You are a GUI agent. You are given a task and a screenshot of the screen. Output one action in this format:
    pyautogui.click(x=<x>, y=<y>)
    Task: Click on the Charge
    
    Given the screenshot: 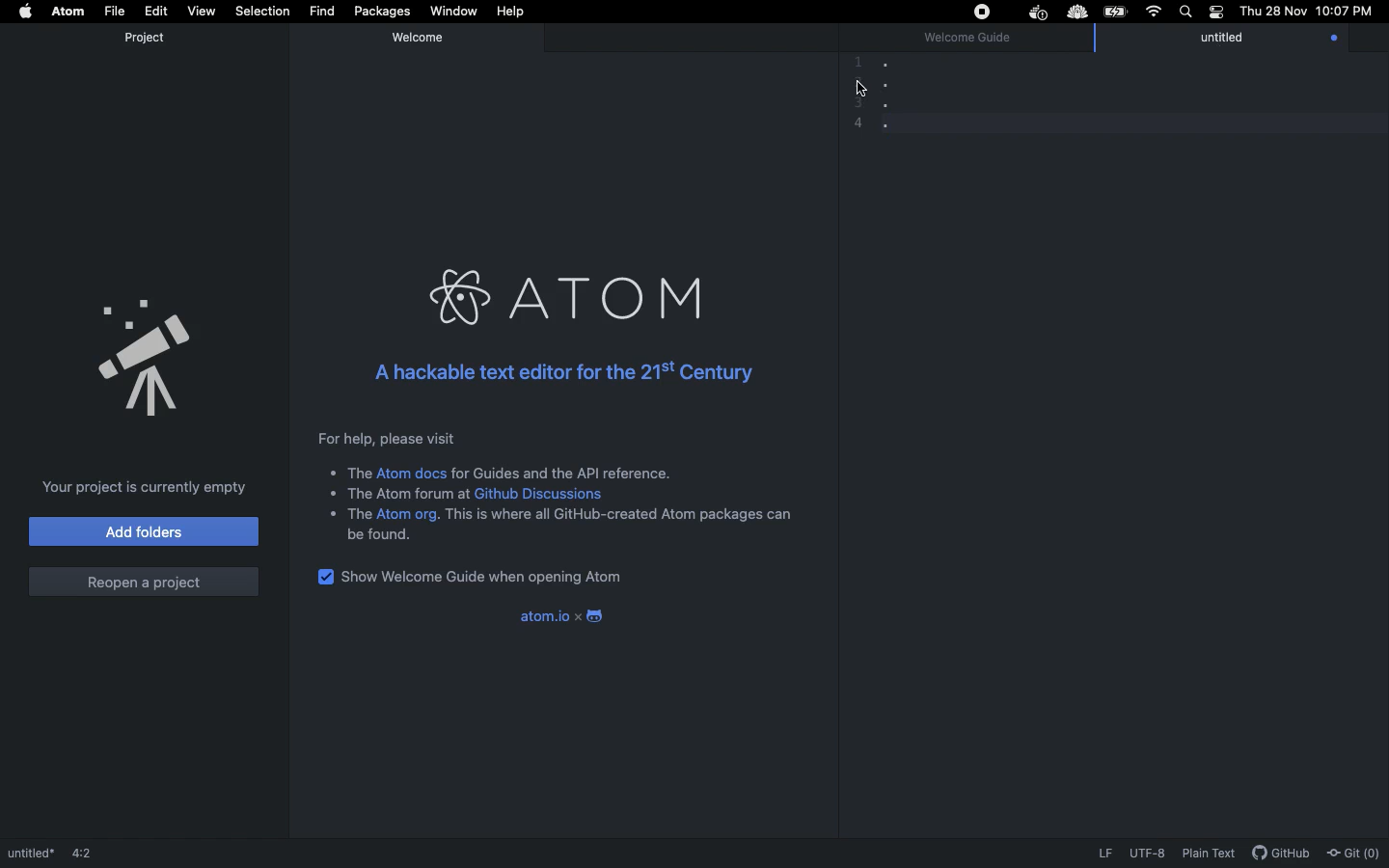 What is the action you would take?
    pyautogui.click(x=1115, y=12)
    